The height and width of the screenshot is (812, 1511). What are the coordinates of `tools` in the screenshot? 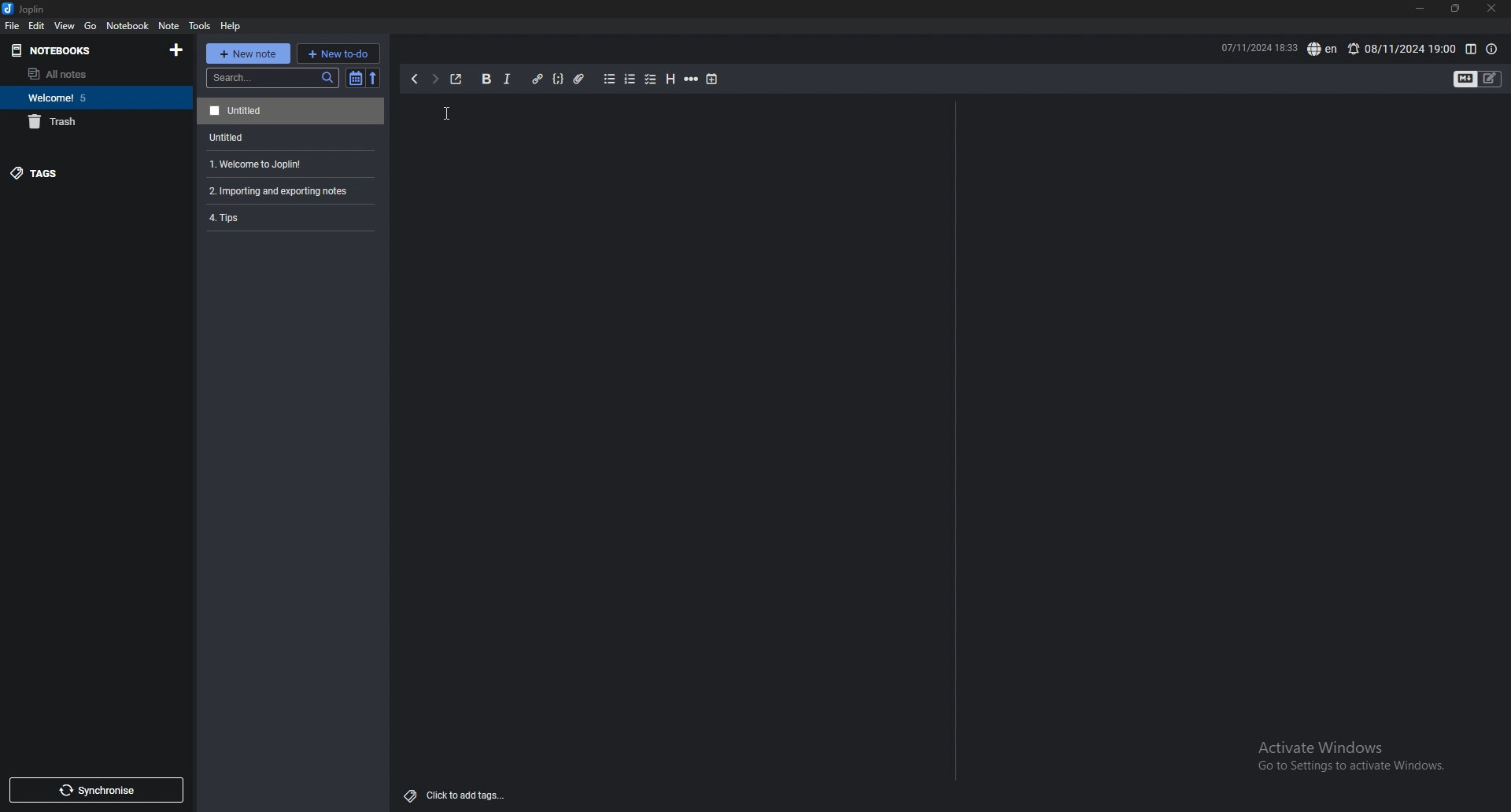 It's located at (199, 26).